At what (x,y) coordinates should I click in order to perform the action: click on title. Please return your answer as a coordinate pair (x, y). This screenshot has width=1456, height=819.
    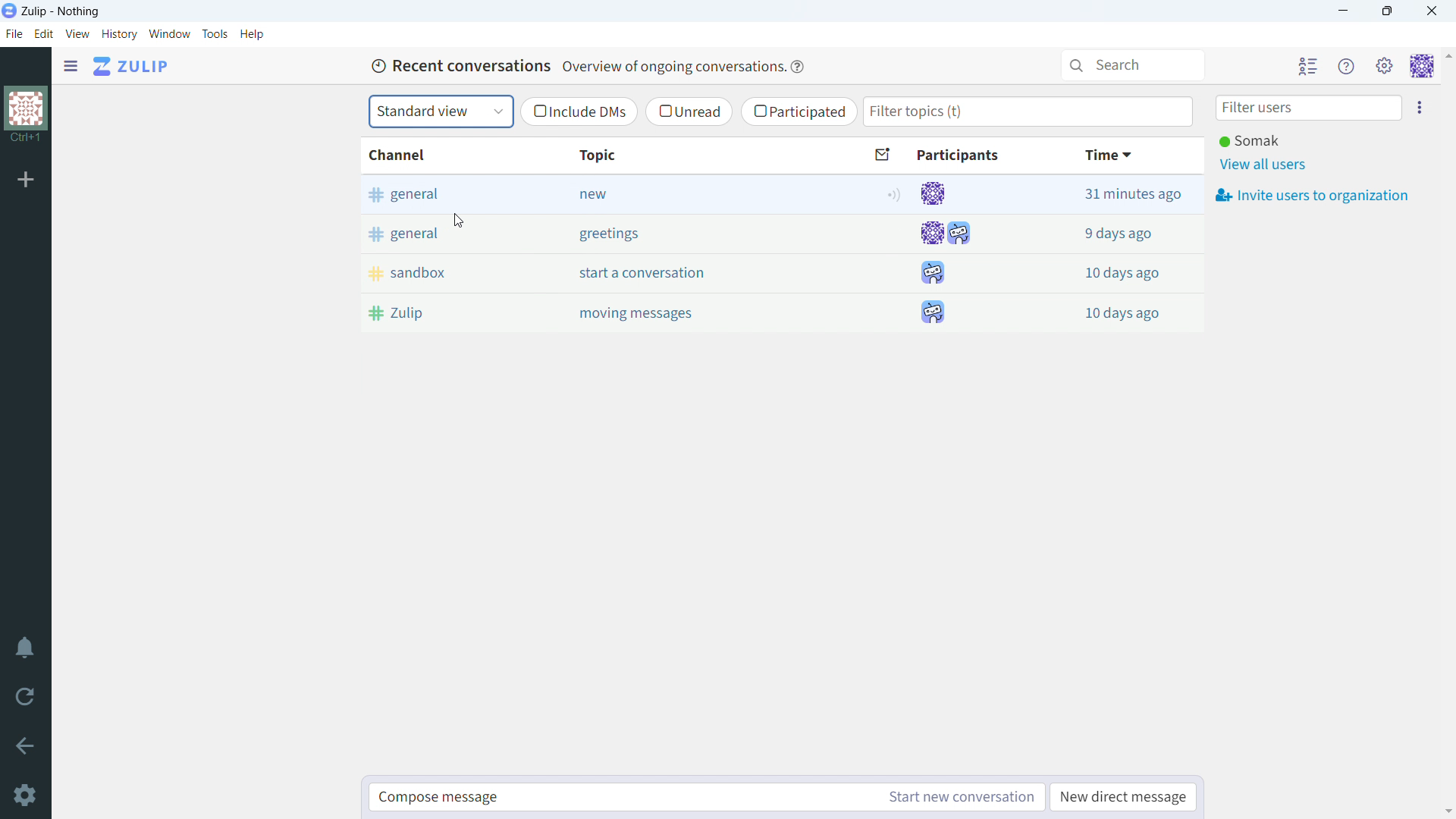
    Looking at the image, I should click on (61, 11).